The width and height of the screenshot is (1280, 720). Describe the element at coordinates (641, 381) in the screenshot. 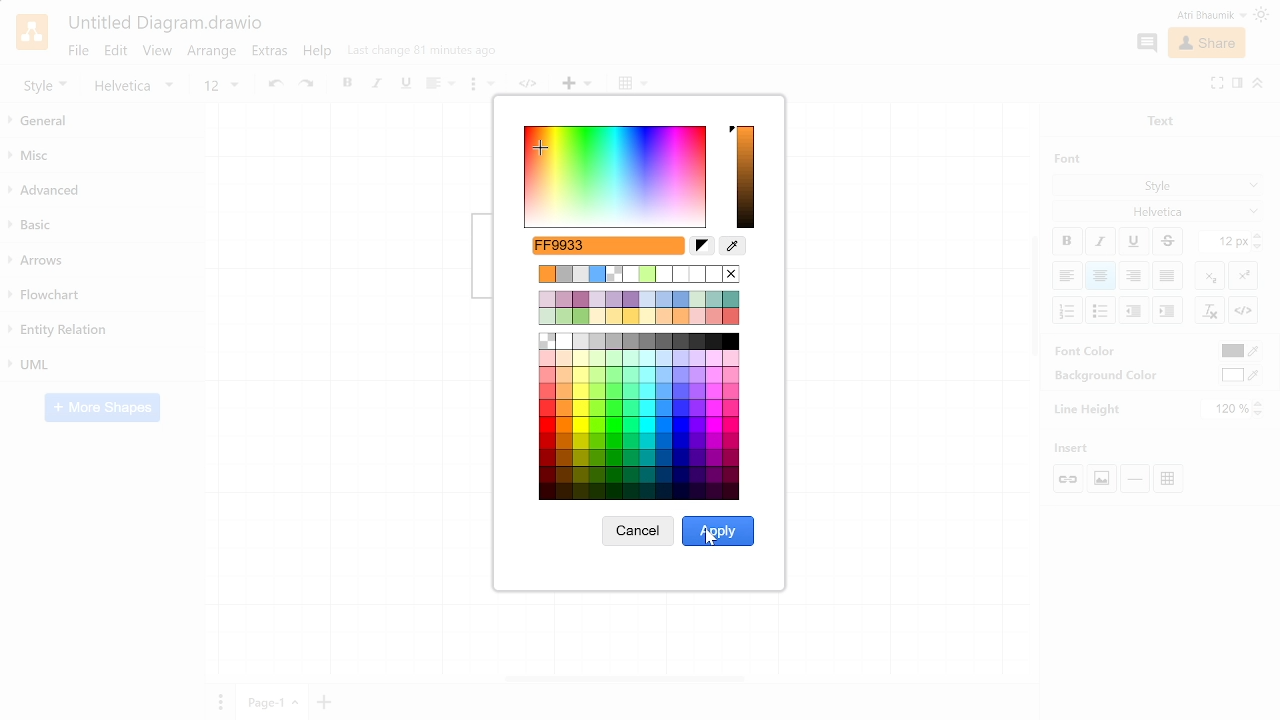

I see `Colors` at that location.